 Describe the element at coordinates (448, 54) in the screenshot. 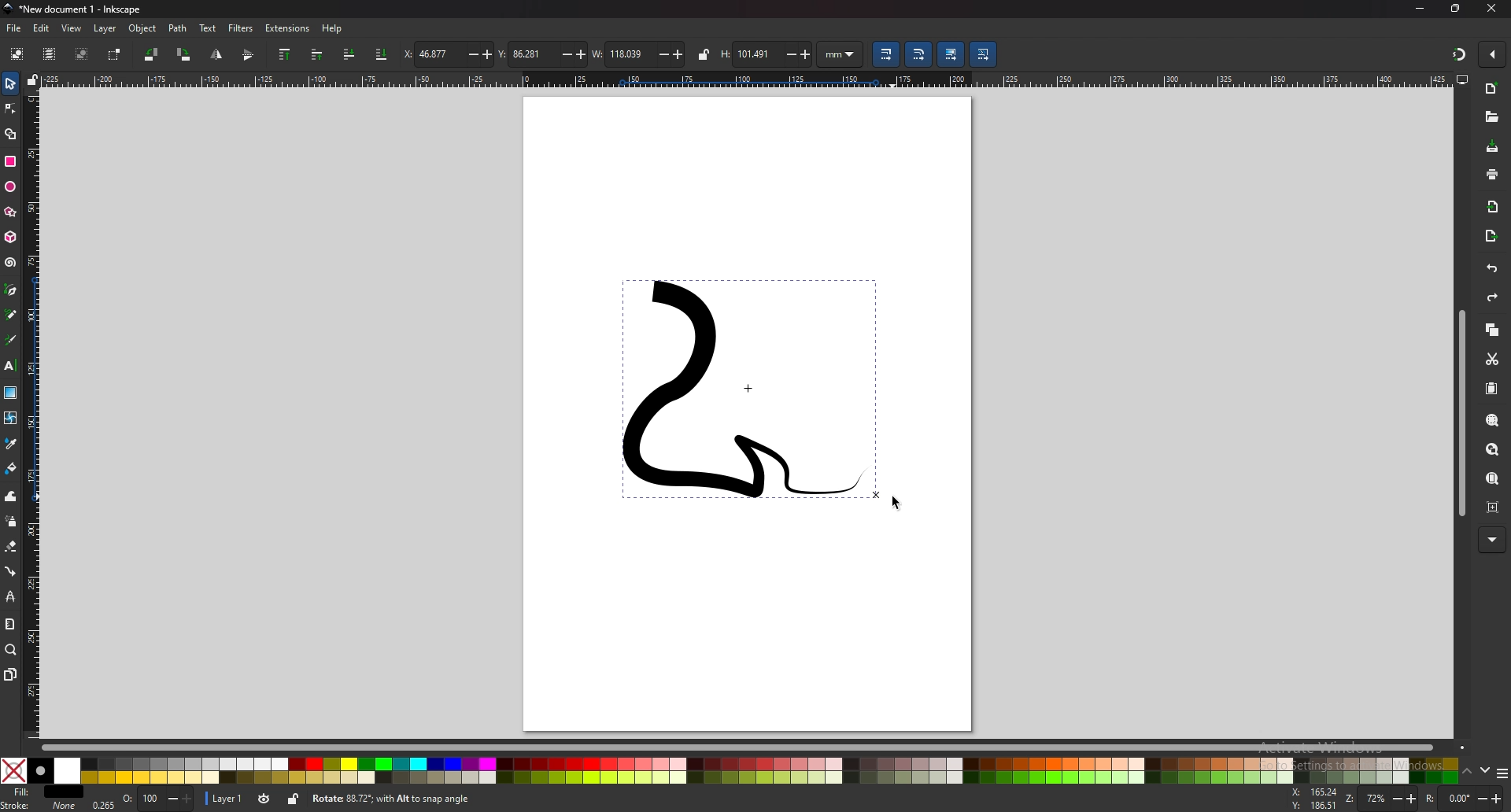

I see `x coordinates` at that location.